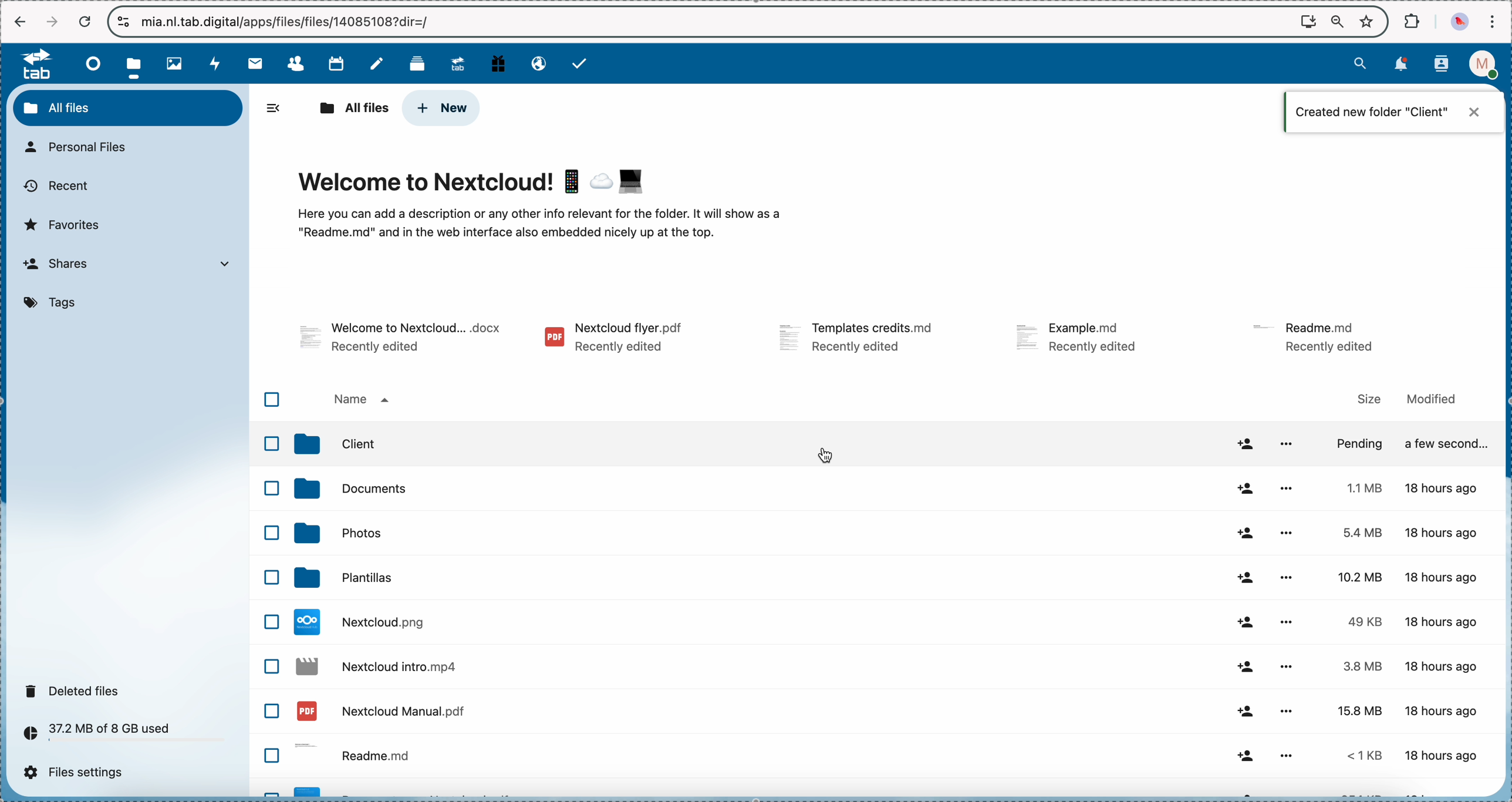  I want to click on all files, so click(352, 109).